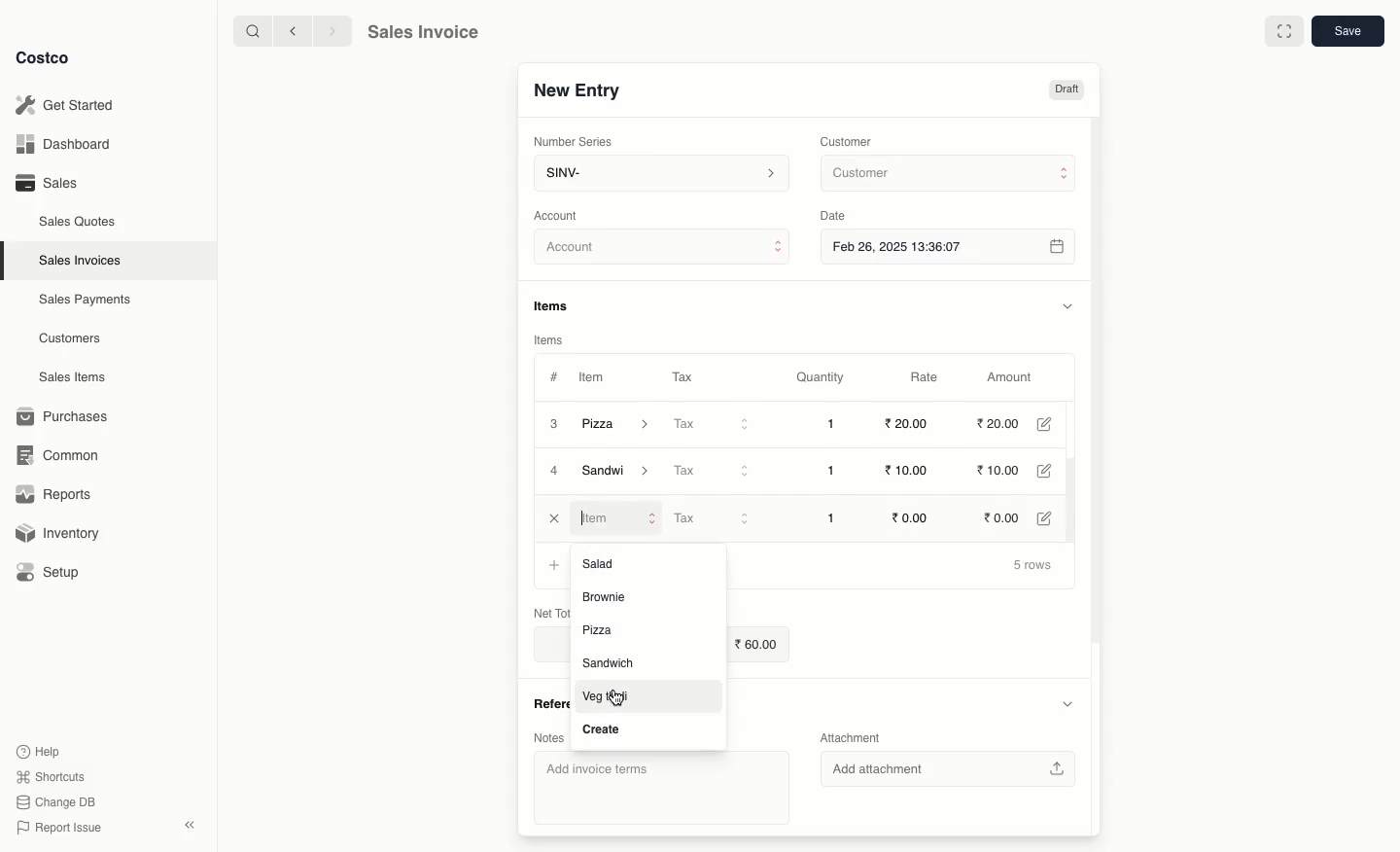 The height and width of the screenshot is (852, 1400). I want to click on Hide, so click(1067, 305).